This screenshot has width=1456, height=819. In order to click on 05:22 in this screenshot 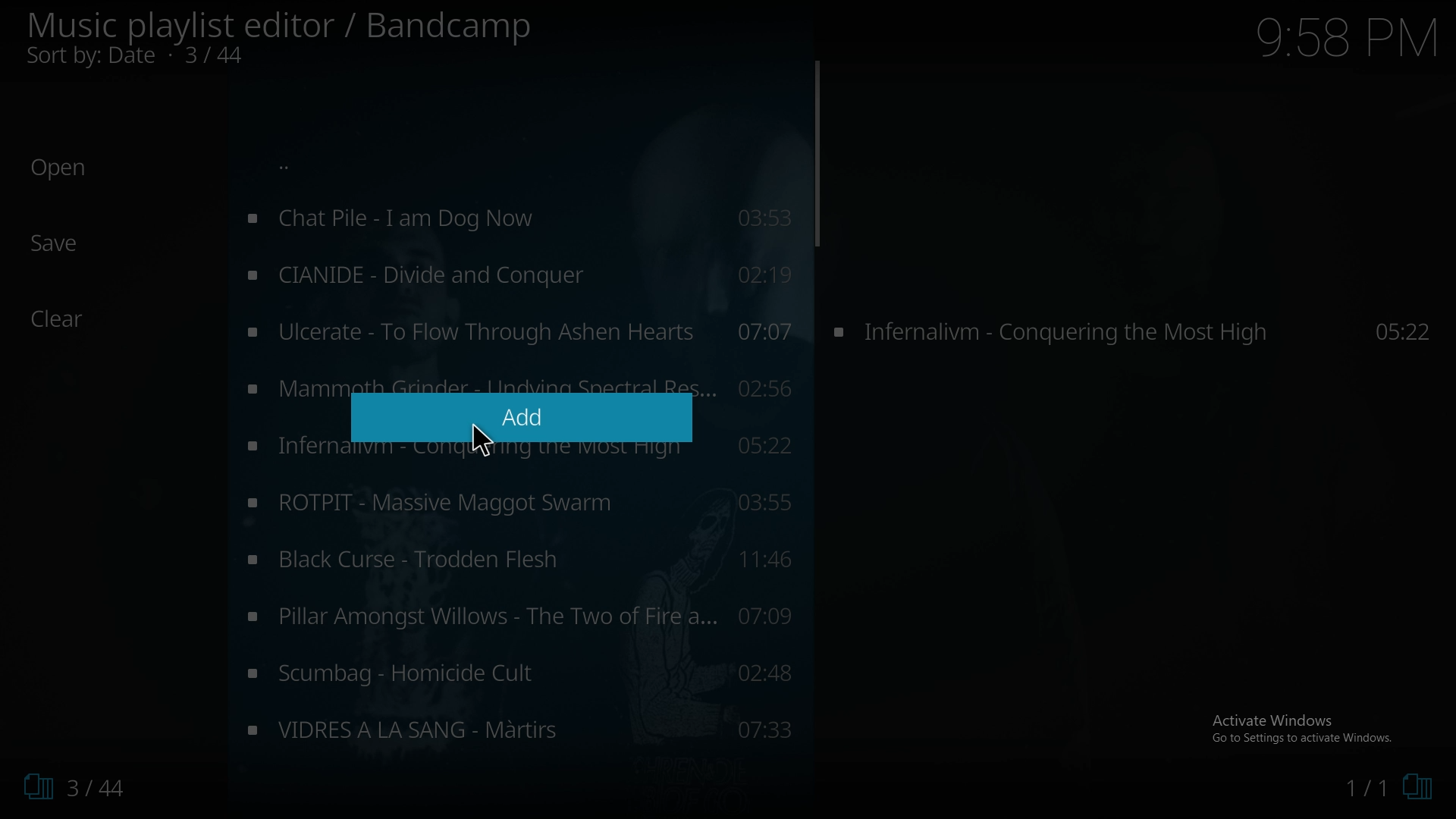, I will do `click(761, 443)`.